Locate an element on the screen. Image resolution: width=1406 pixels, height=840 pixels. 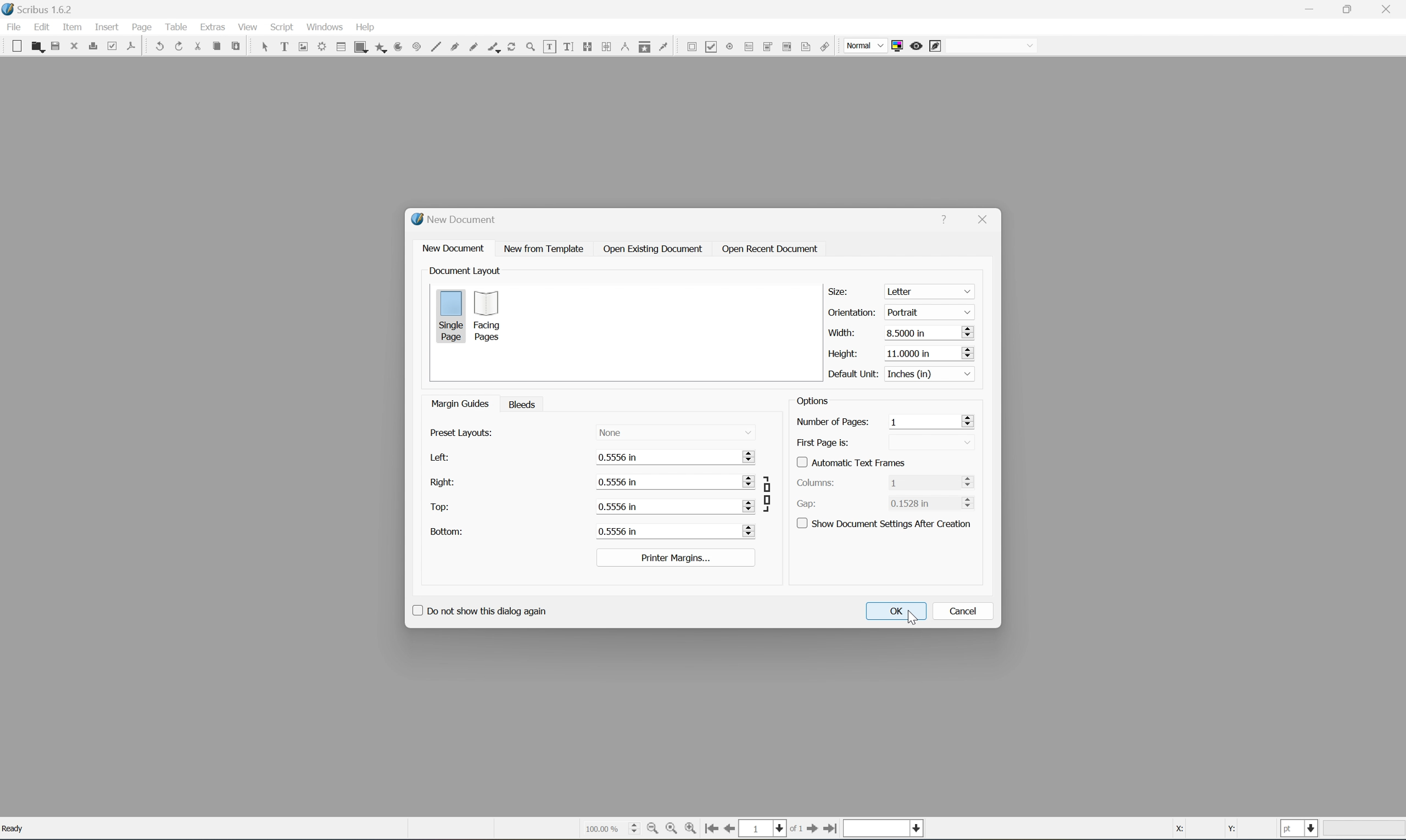
go to first page is located at coordinates (811, 830).